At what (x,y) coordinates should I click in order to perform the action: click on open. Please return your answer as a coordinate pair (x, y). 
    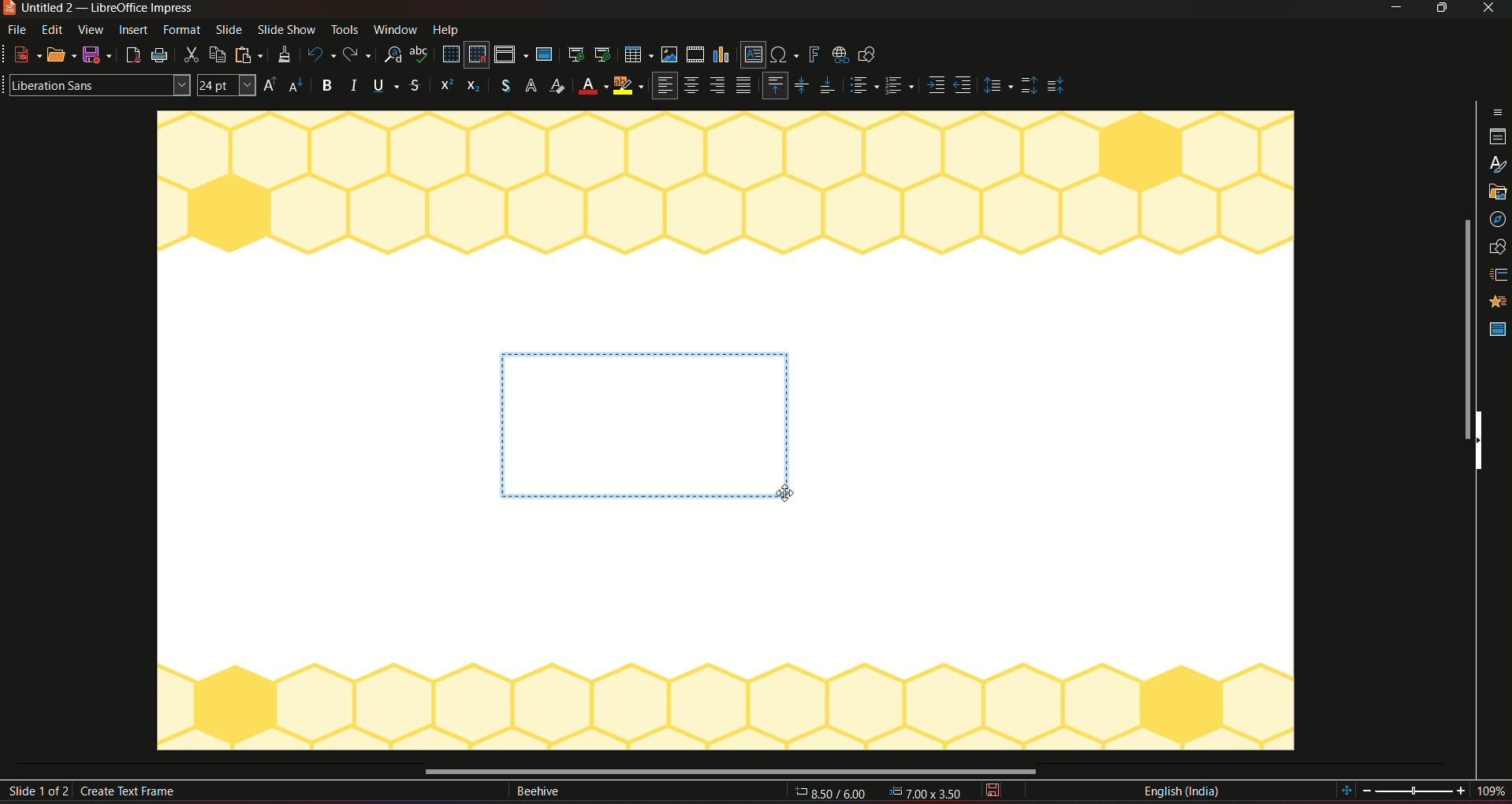
    Looking at the image, I should click on (62, 53).